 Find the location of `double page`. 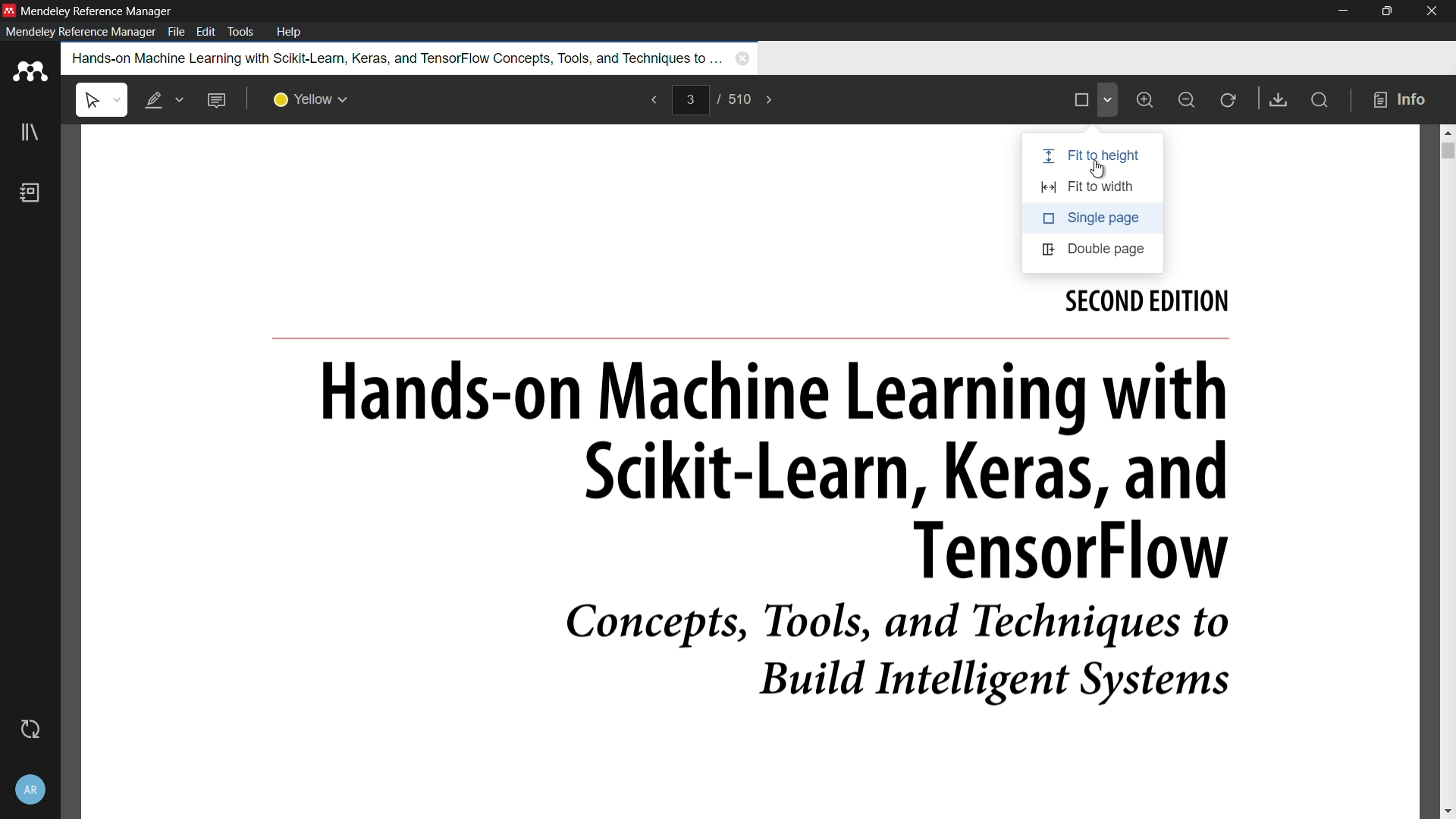

double page is located at coordinates (1090, 250).